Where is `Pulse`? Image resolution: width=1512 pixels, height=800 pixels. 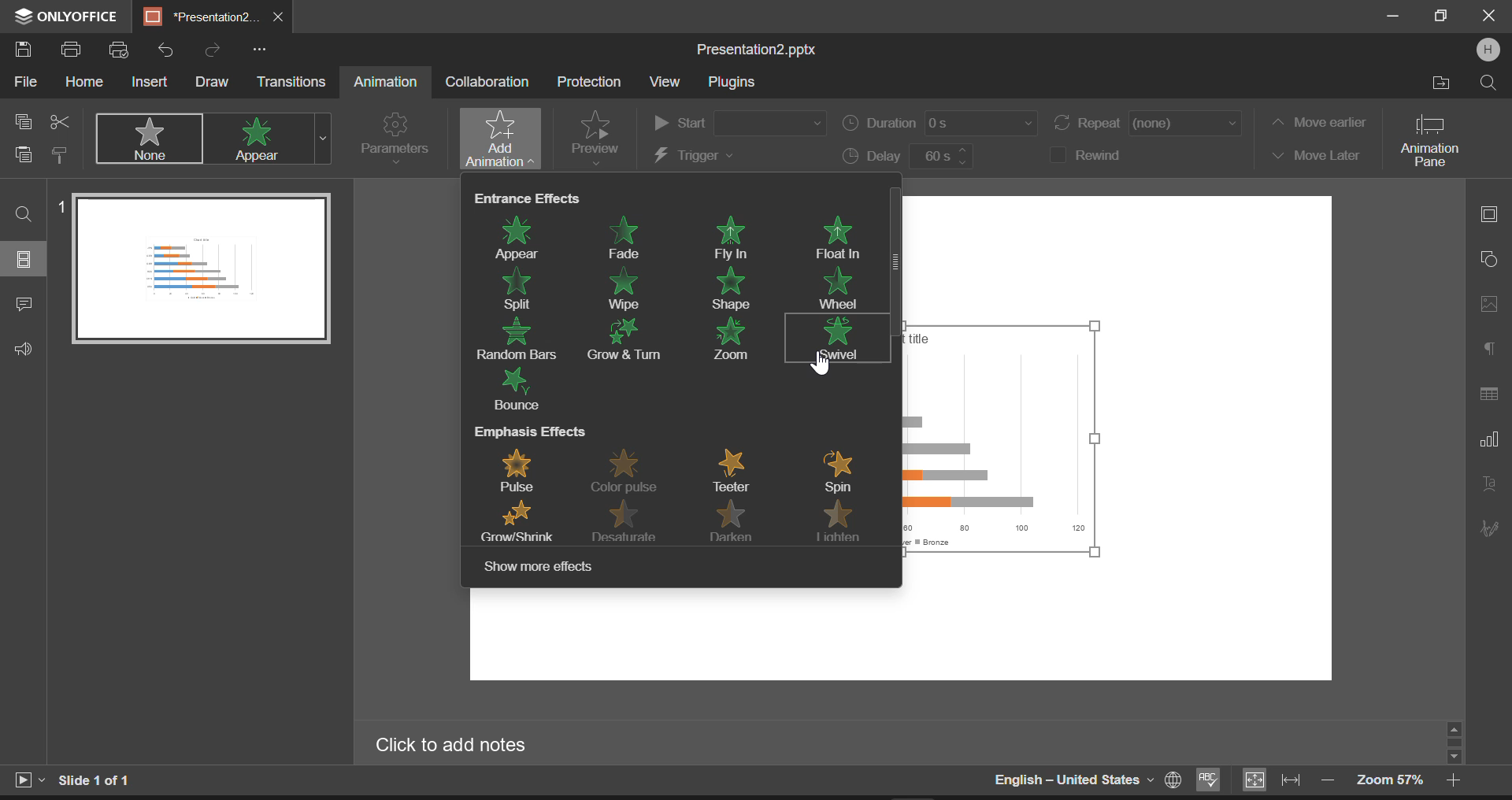 Pulse is located at coordinates (525, 469).